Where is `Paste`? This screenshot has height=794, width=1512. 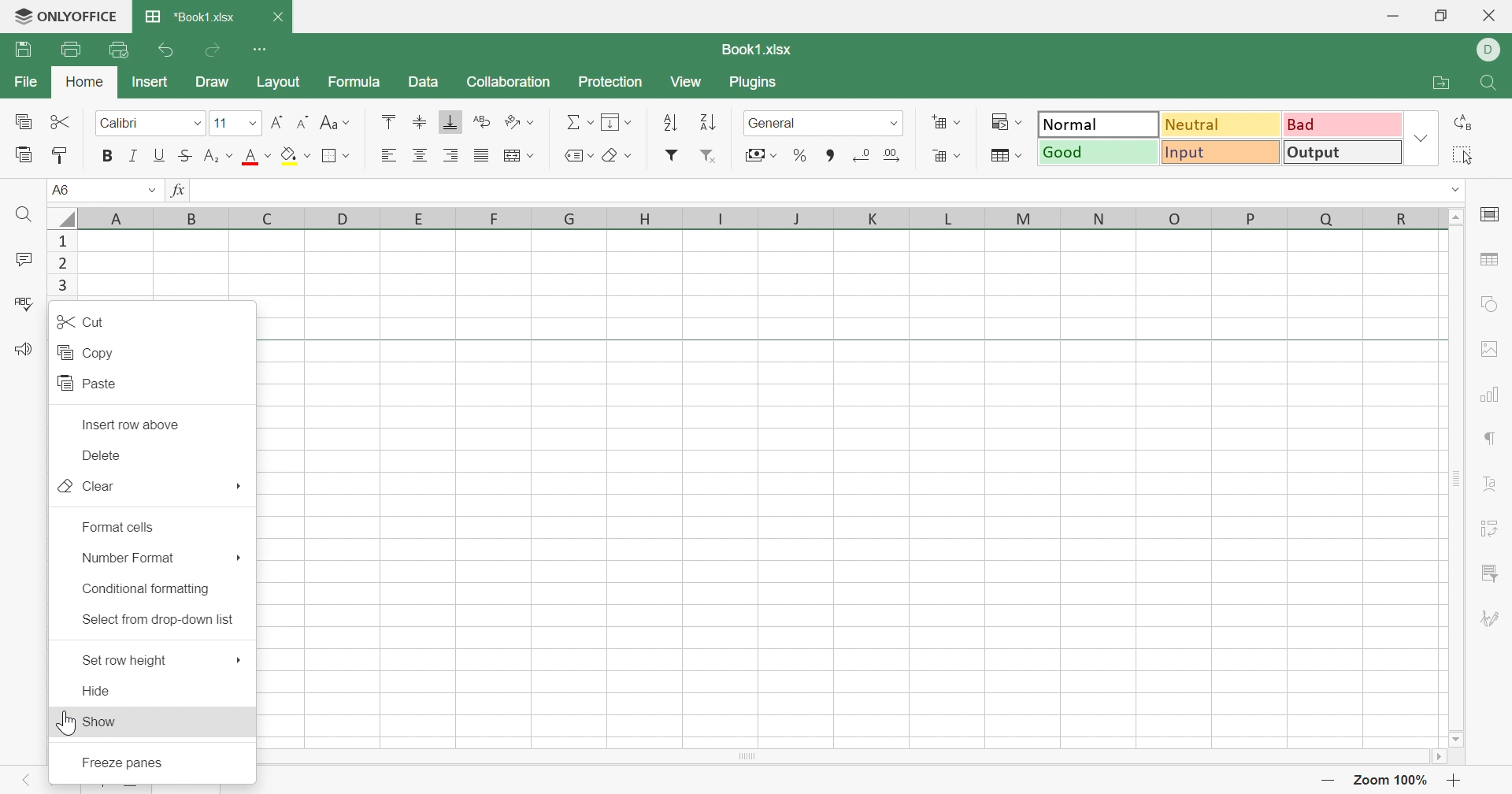 Paste is located at coordinates (87, 383).